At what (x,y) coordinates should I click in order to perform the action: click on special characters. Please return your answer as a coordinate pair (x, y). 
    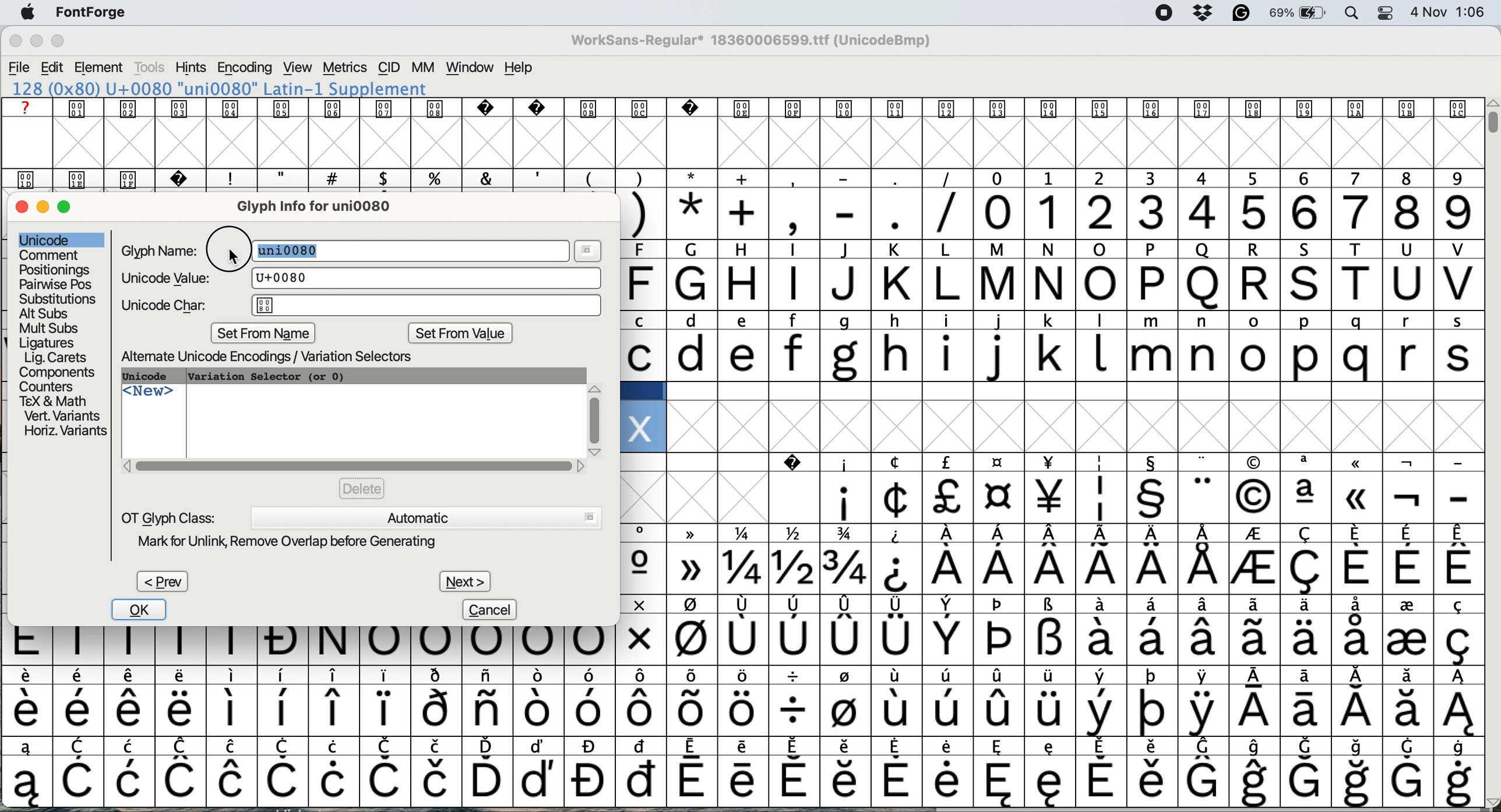
    Looking at the image, I should click on (745, 745).